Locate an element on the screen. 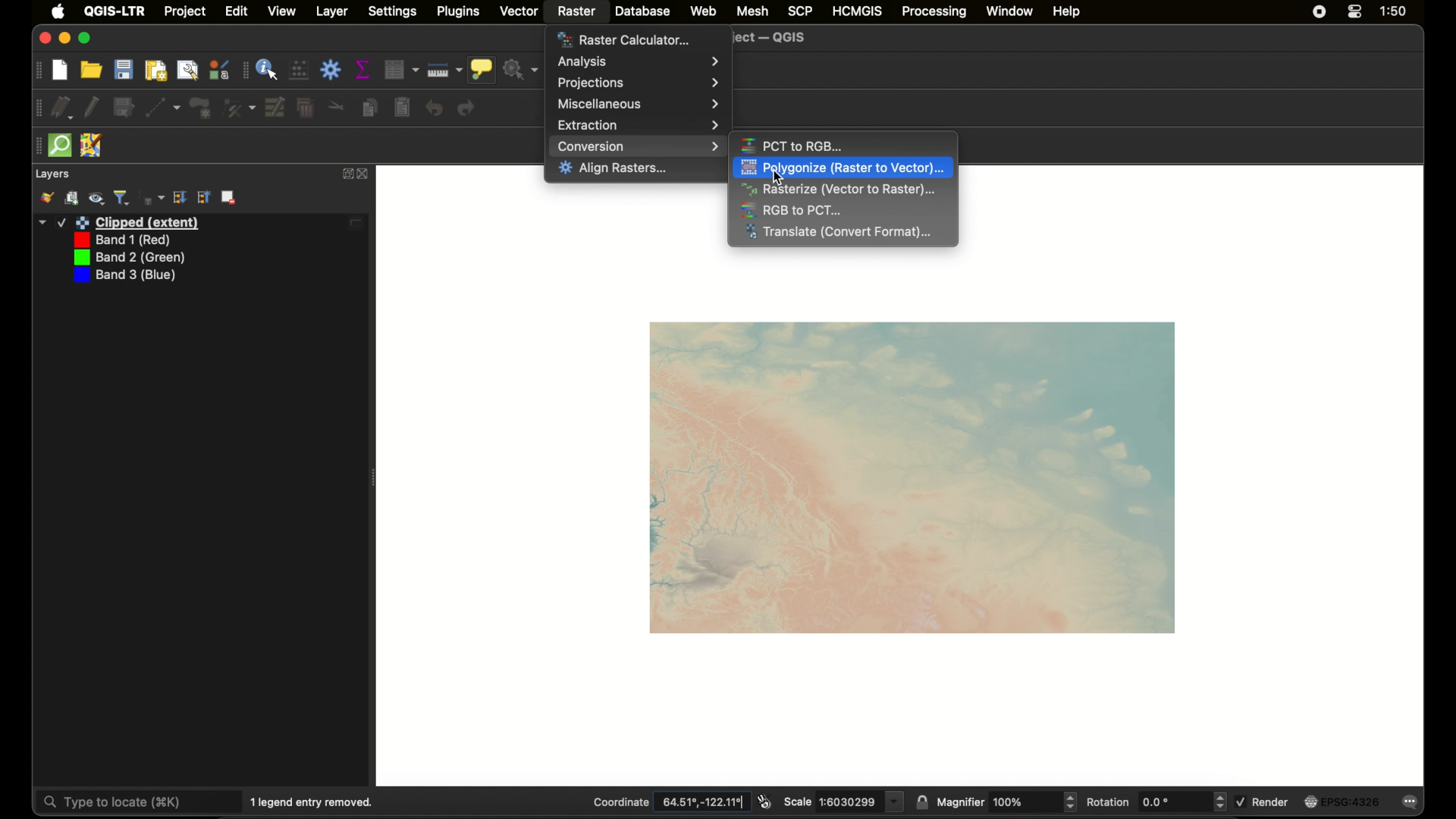 The width and height of the screenshot is (1456, 819). HCMGIS is located at coordinates (857, 11).